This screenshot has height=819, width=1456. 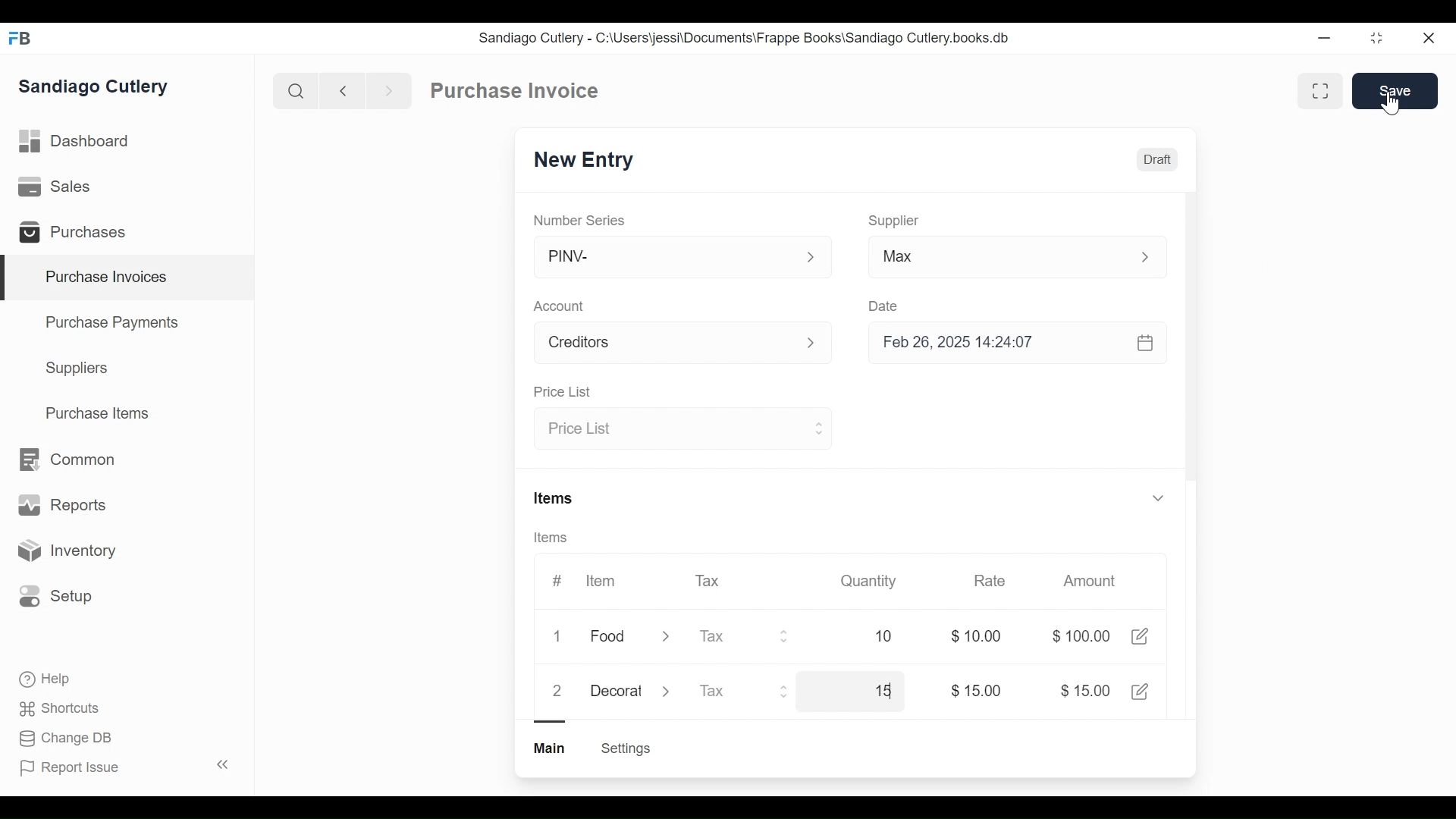 I want to click on Sandiago Cutlery - C:\Users\jessi\Documents\Frappe Books\Sandiago Cutlery.books.db, so click(x=745, y=38).